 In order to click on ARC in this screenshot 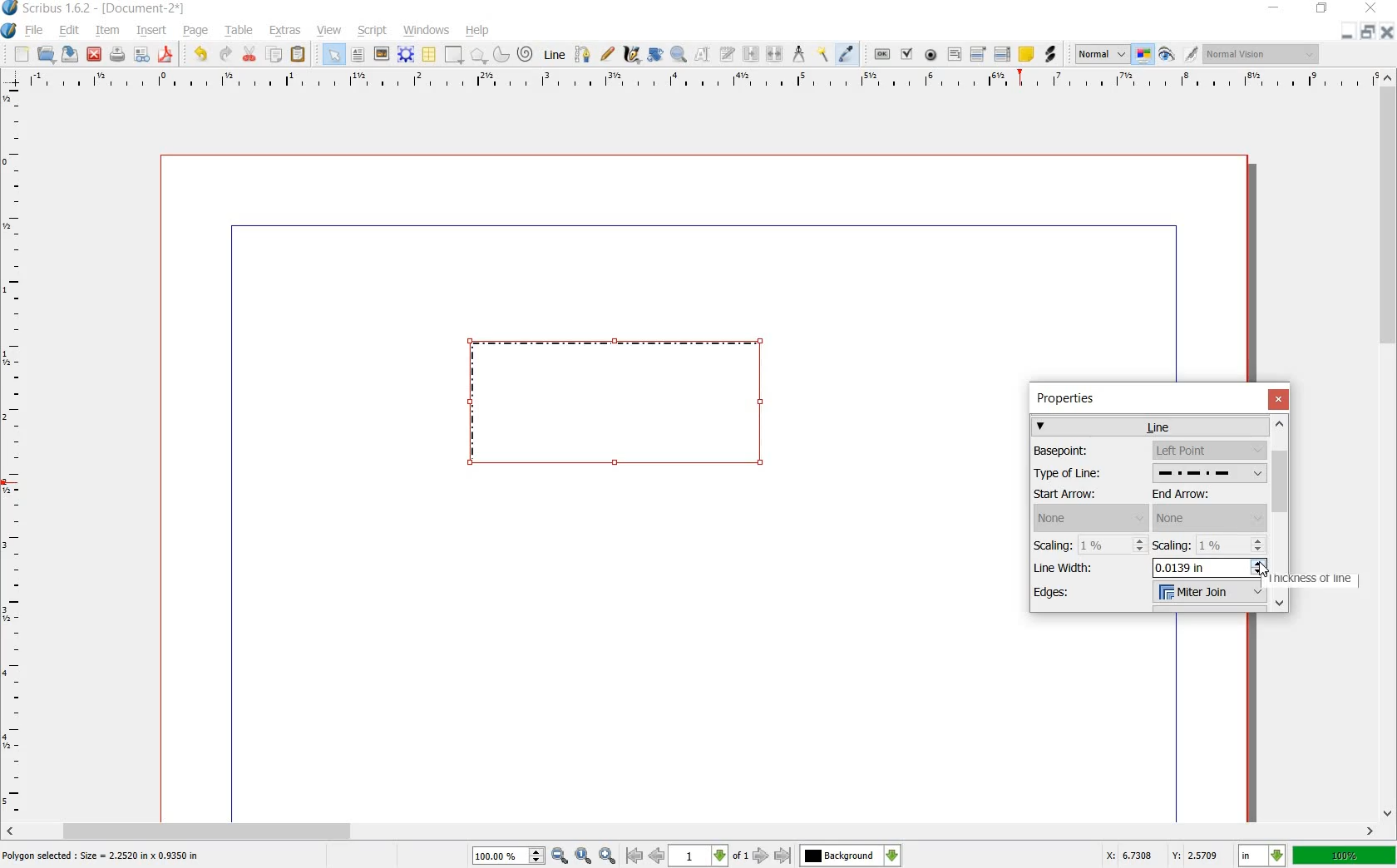, I will do `click(501, 53)`.